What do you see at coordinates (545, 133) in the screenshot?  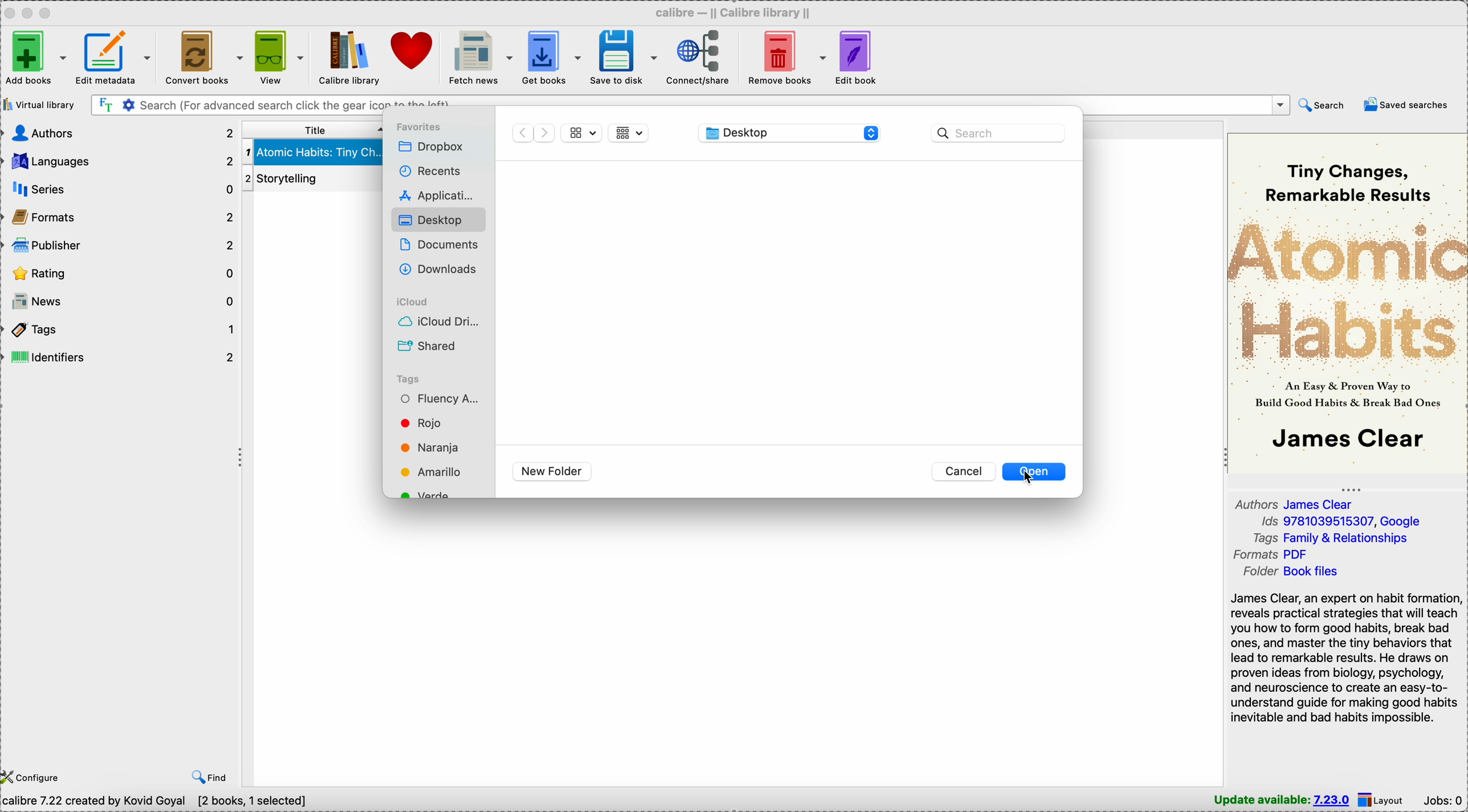 I see `foward` at bounding box center [545, 133].